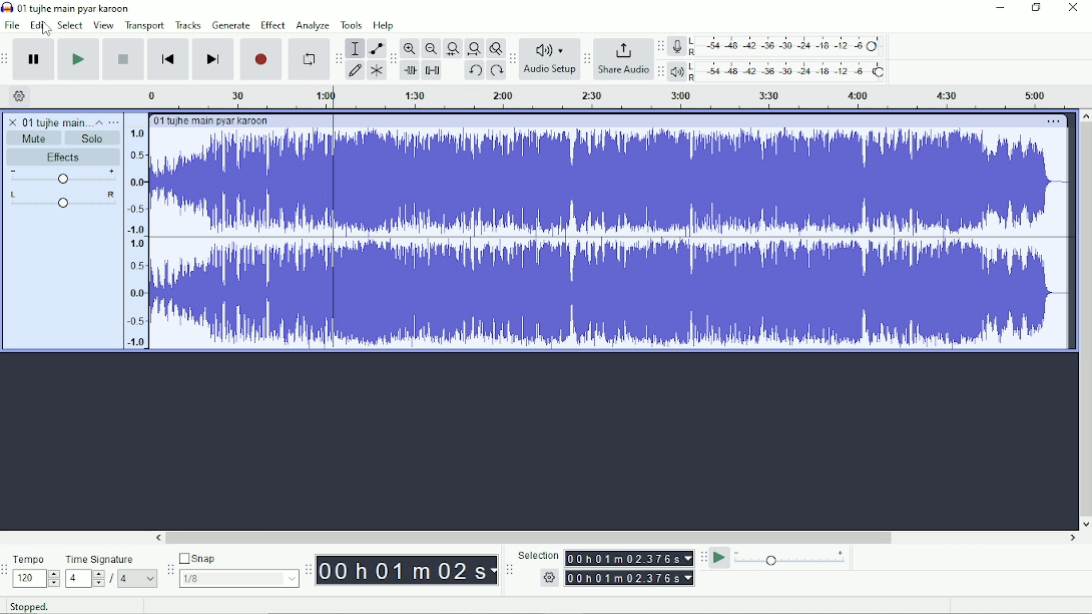  I want to click on Edit, so click(38, 26).